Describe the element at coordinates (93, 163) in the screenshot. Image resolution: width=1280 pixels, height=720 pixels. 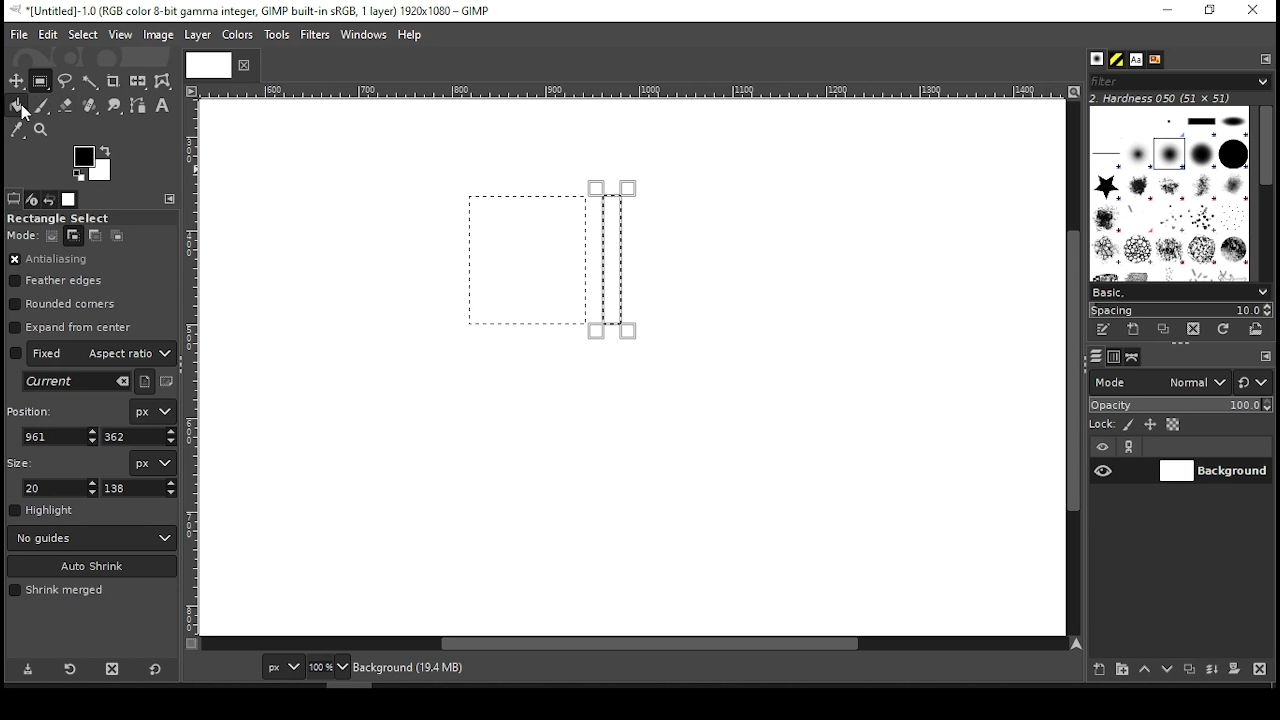
I see `colors` at that location.